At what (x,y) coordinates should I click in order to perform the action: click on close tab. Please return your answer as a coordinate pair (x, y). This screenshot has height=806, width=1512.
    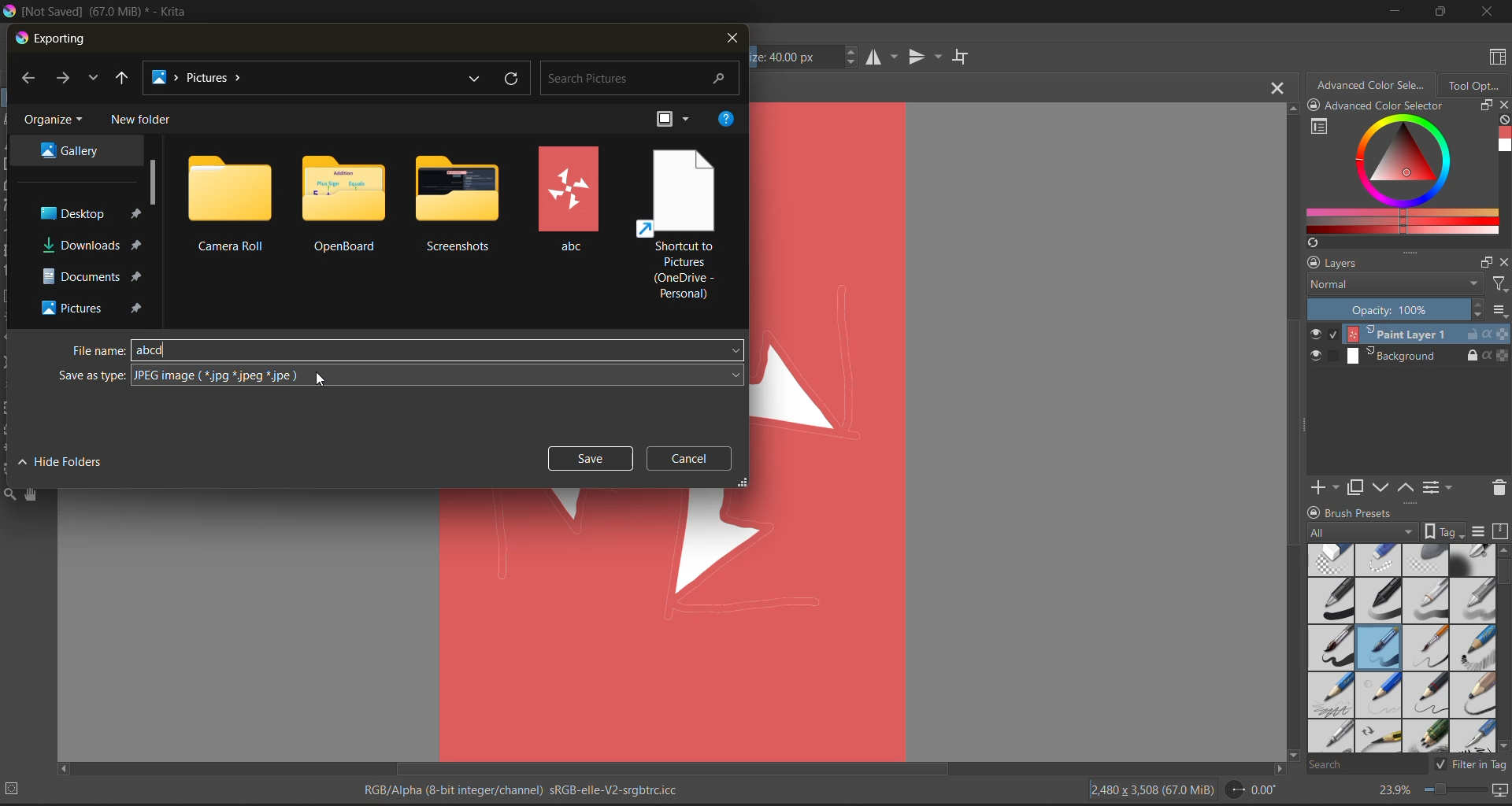
    Looking at the image, I should click on (1273, 91).